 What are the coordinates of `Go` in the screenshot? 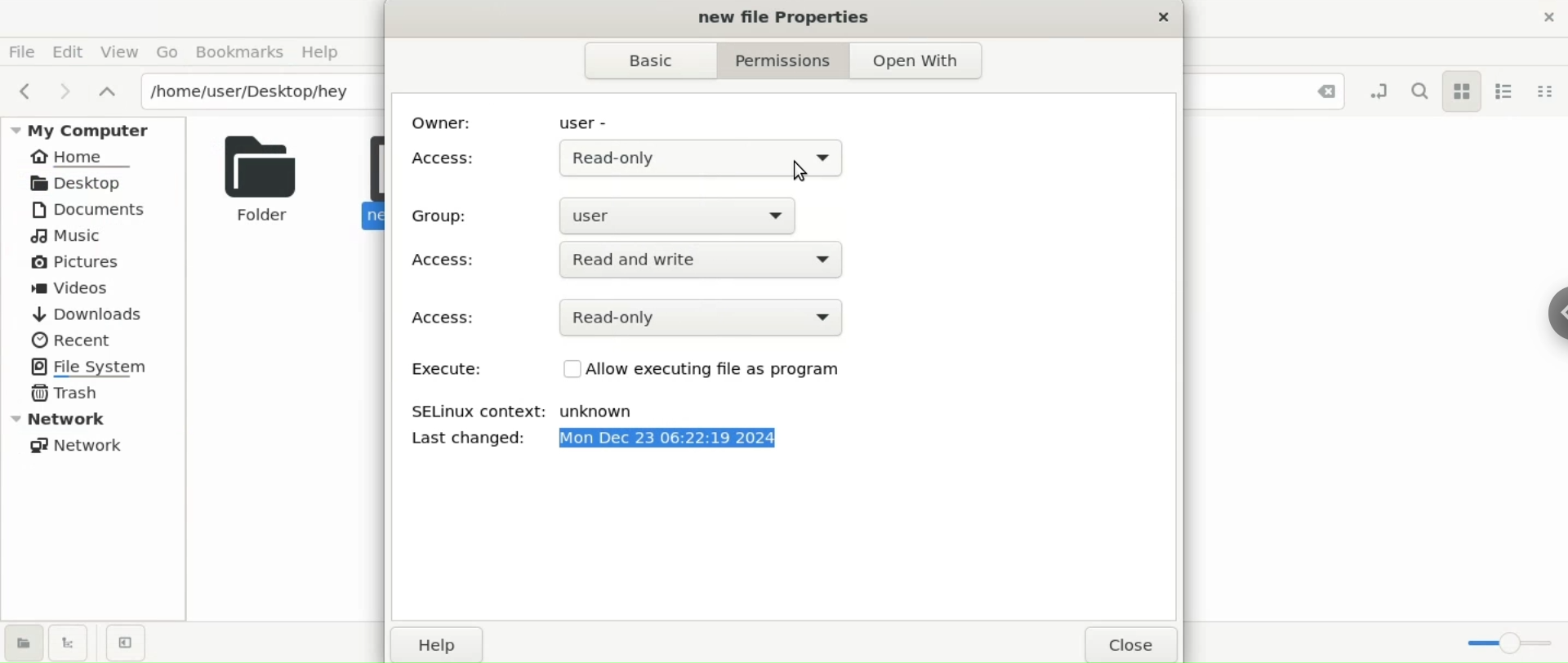 It's located at (167, 51).